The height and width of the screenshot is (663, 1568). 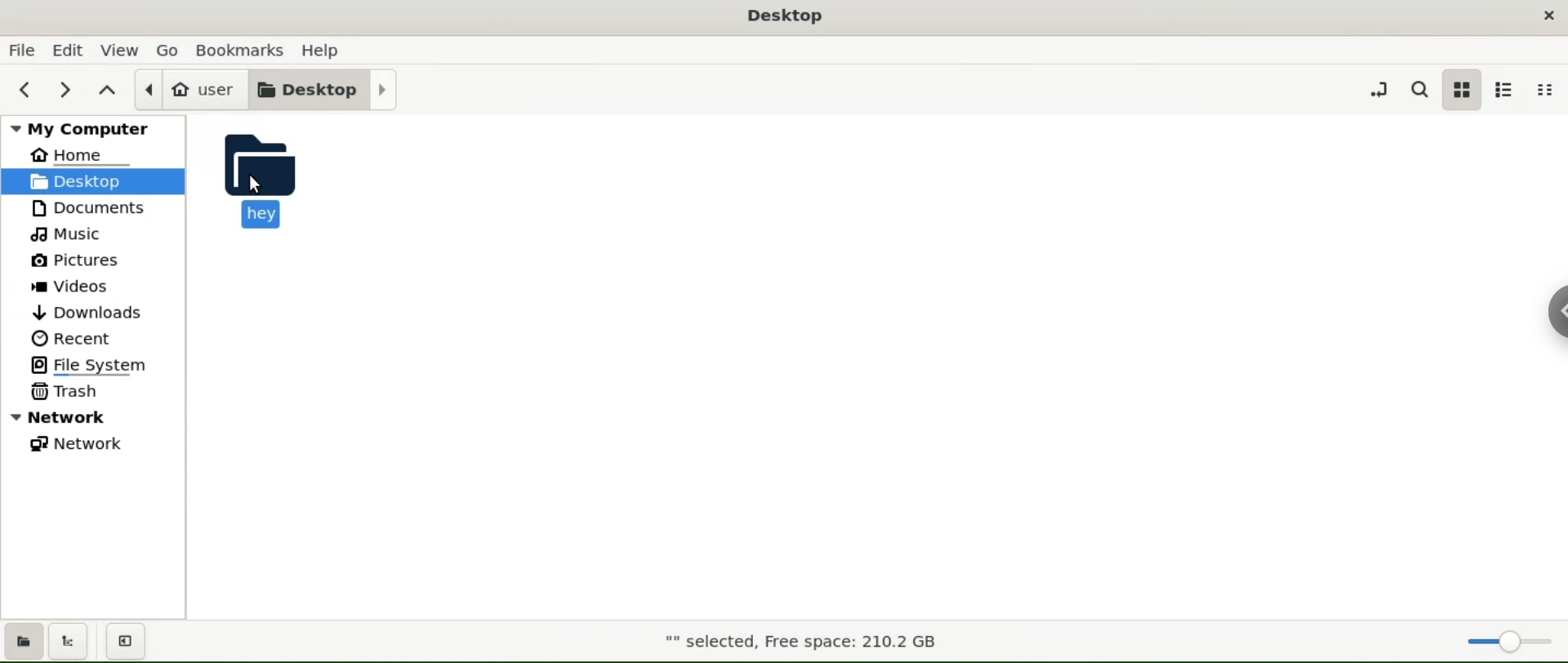 I want to click on toggle location entry, so click(x=1377, y=88).